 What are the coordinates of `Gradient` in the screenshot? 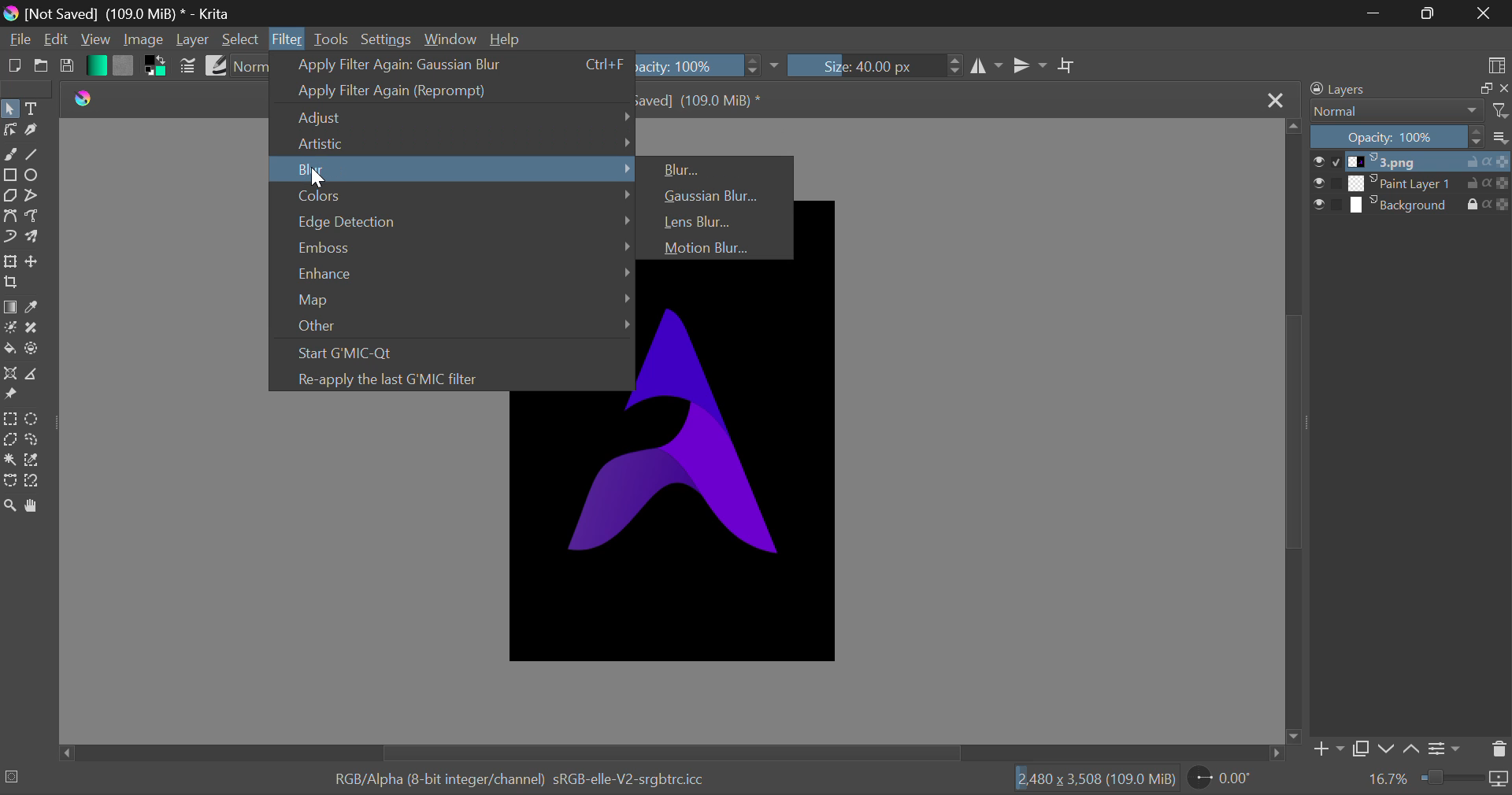 It's located at (95, 65).